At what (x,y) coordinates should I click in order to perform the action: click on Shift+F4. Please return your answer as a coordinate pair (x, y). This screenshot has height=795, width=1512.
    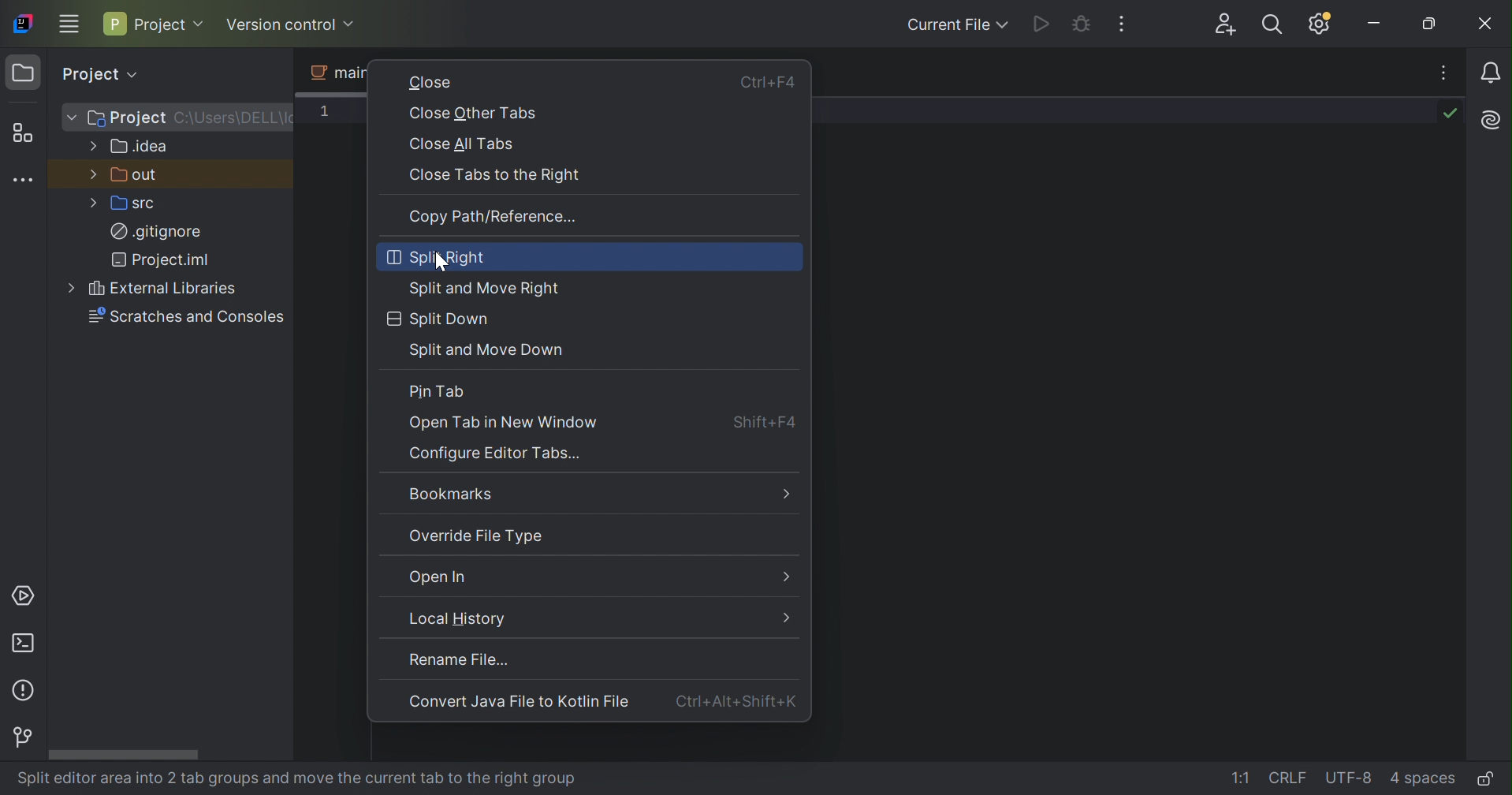
    Looking at the image, I should click on (764, 421).